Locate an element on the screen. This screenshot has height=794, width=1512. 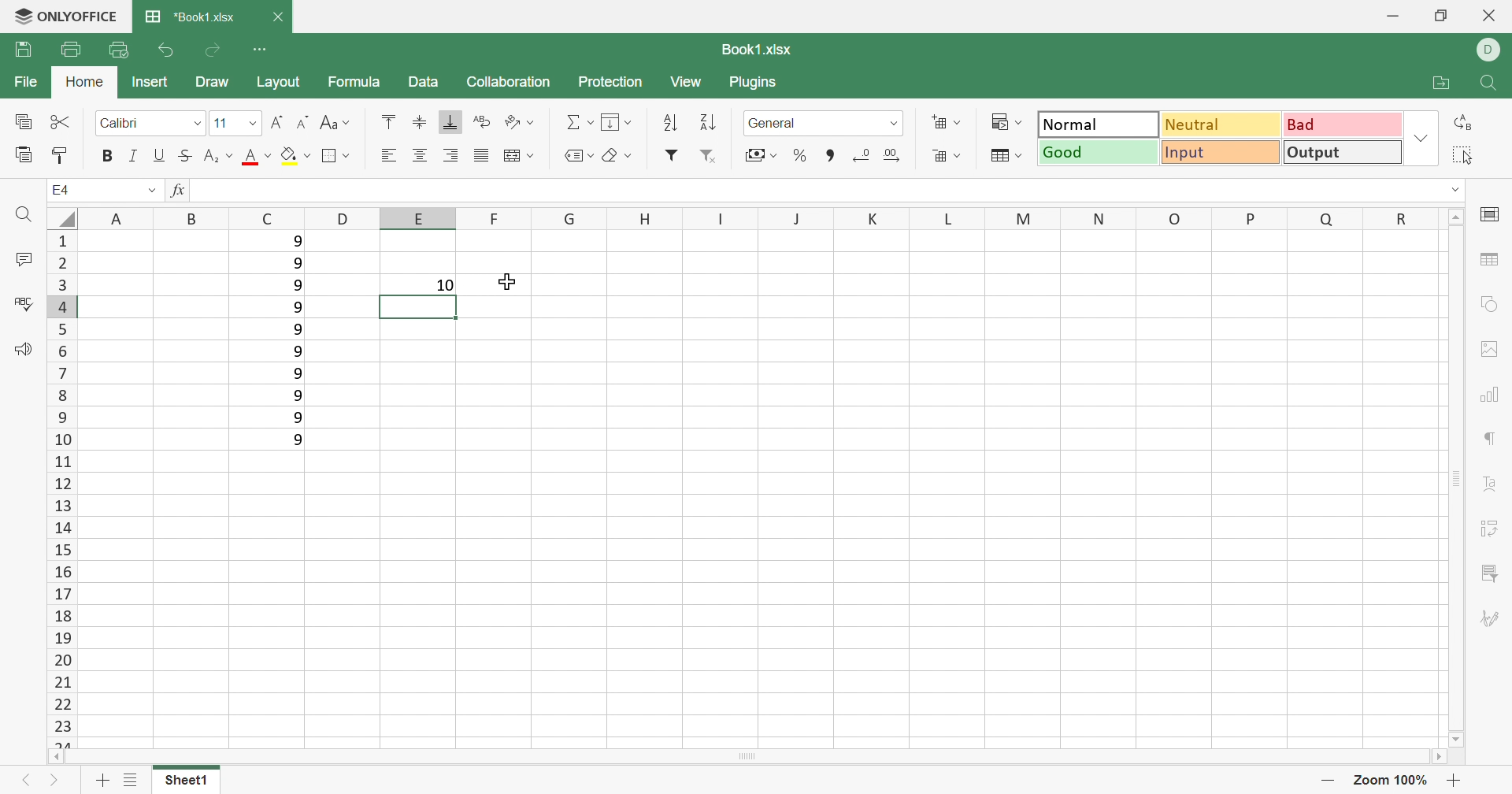
Drop Down is located at coordinates (1418, 139).